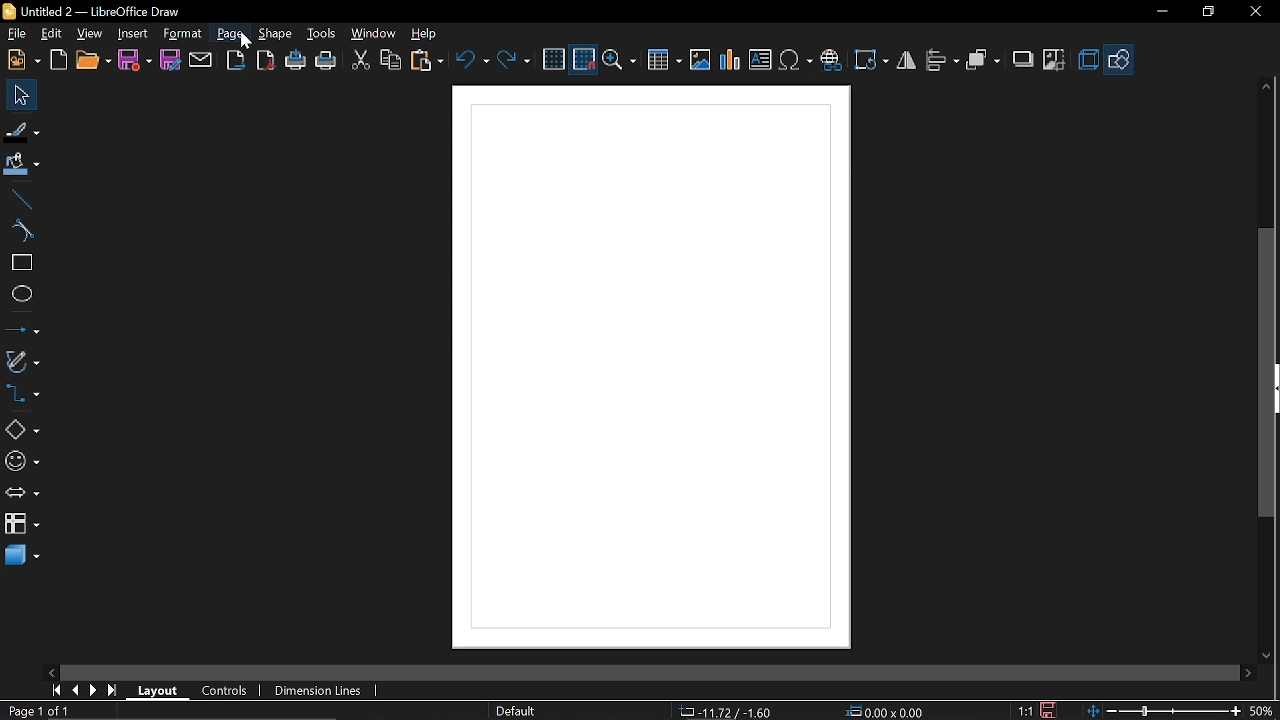  What do you see at coordinates (19, 263) in the screenshot?
I see `RectANGLE` at bounding box center [19, 263].